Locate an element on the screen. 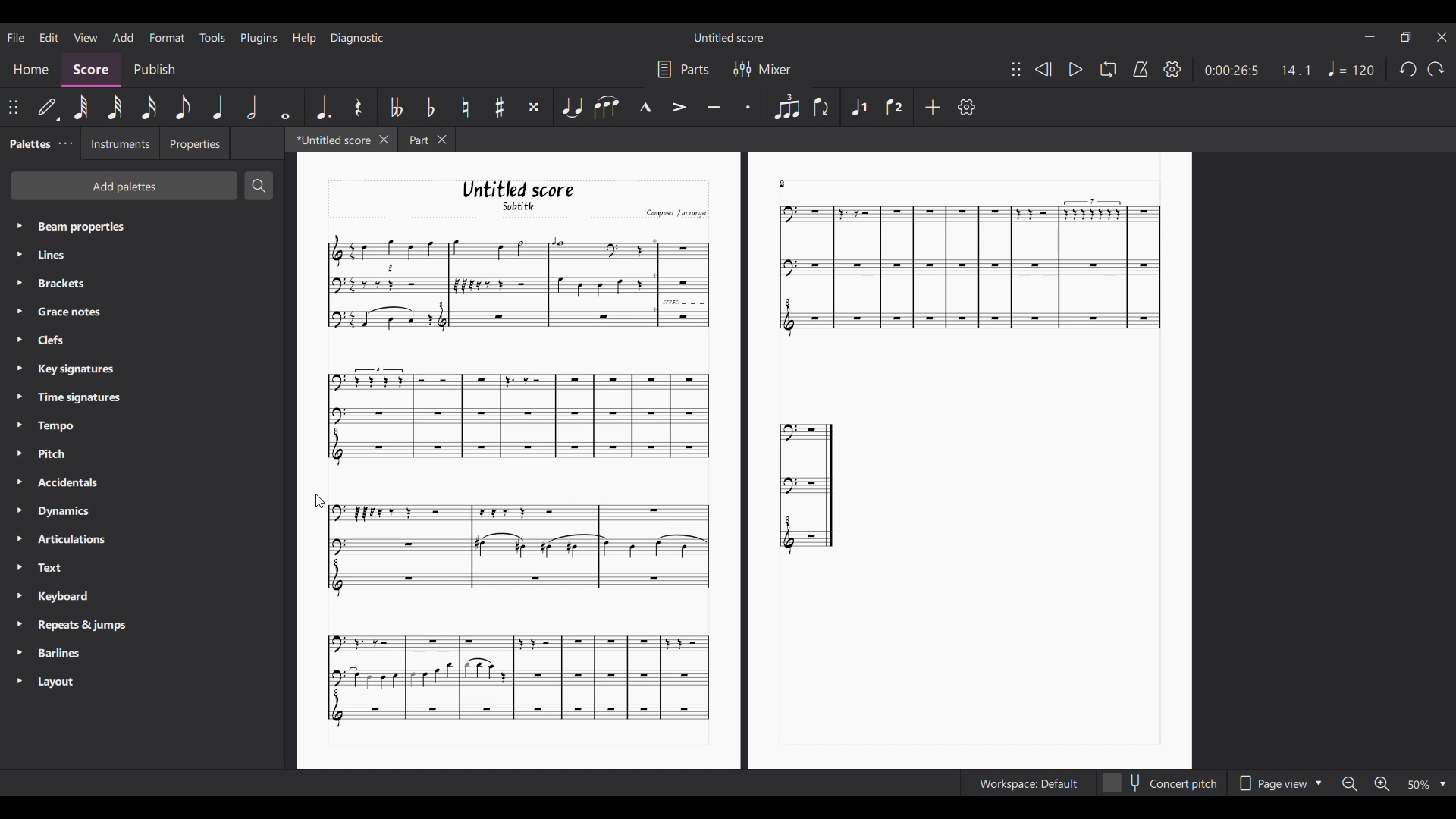 This screenshot has height=819, width=1456. Home  is located at coordinates (30, 71).